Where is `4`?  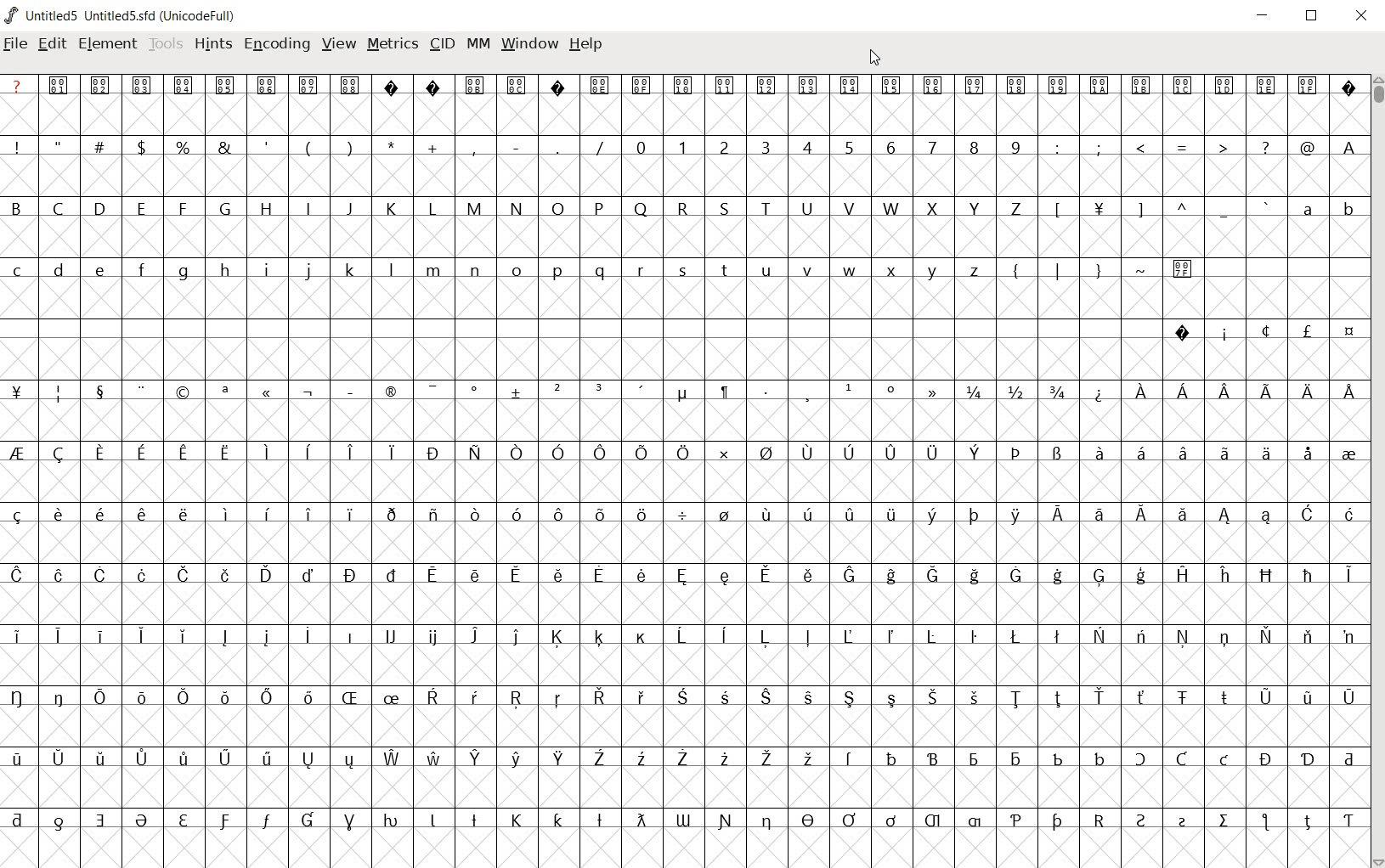 4 is located at coordinates (806, 146).